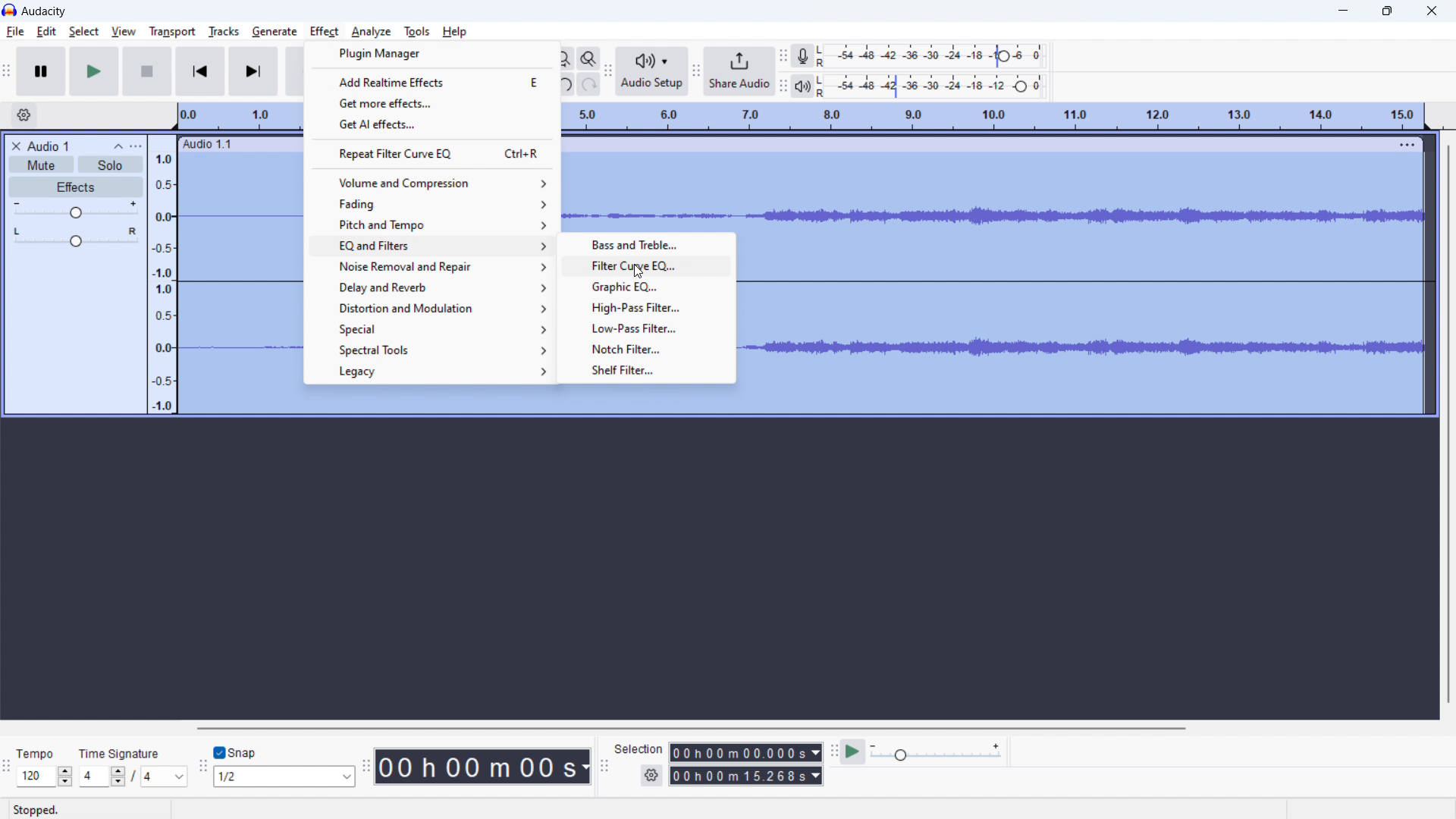  Describe the element at coordinates (428, 372) in the screenshot. I see `legacy` at that location.